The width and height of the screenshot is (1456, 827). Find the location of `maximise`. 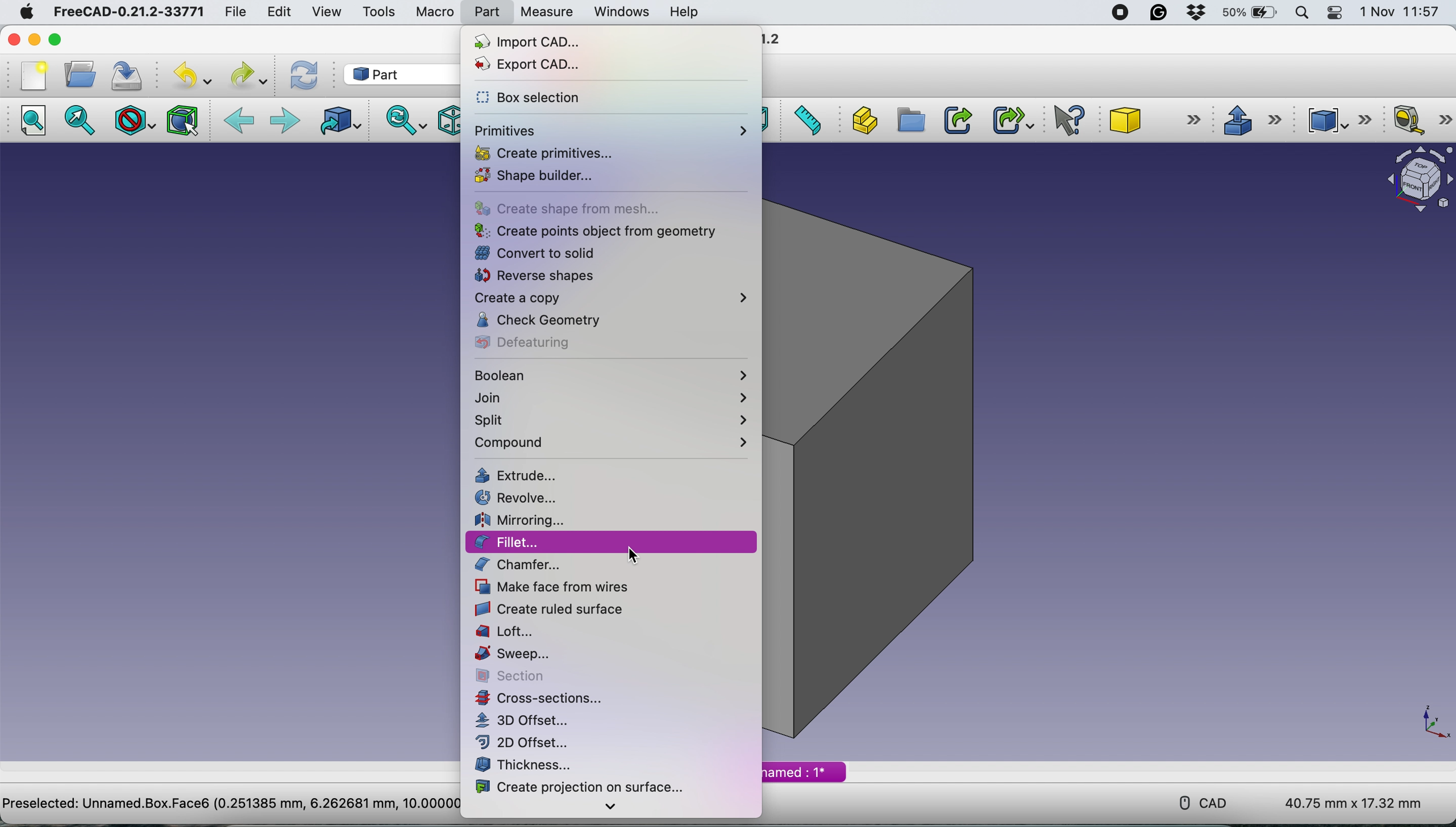

maximise is located at coordinates (55, 39).